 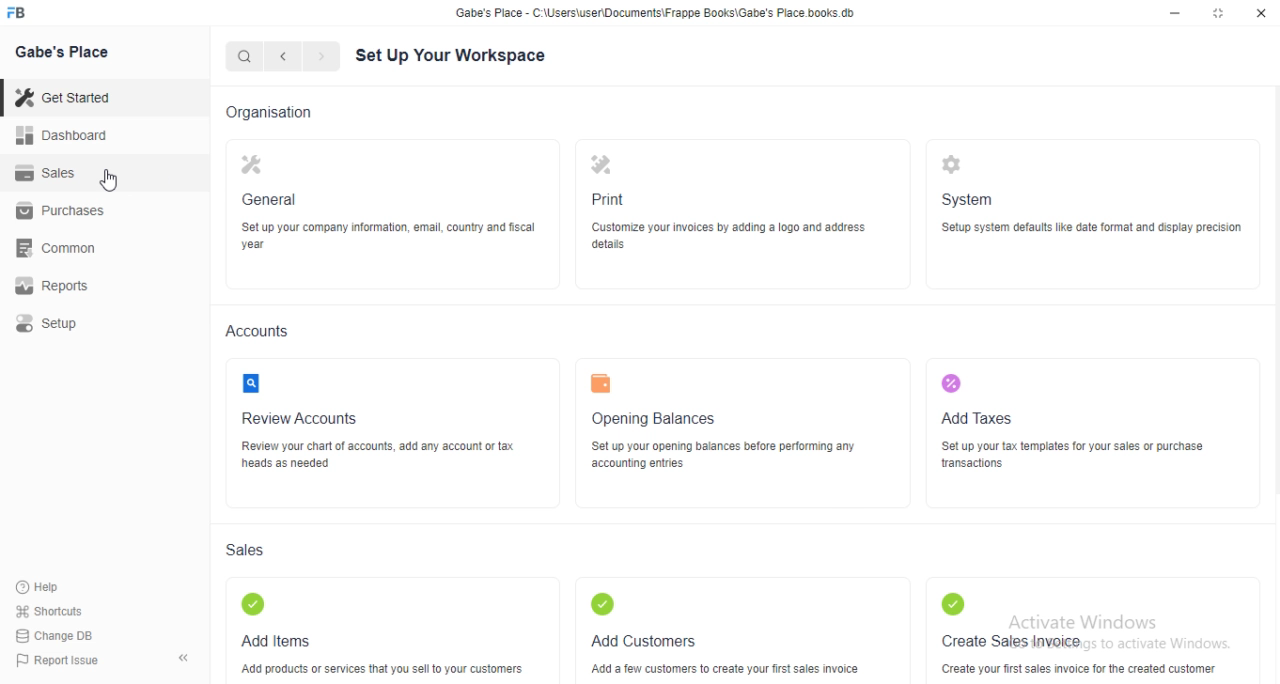 What do you see at coordinates (655, 13) in the screenshot?
I see `Gabe's Place - C:\Users\user\Documents\Frappe Books\Gabe's Place.books db` at bounding box center [655, 13].